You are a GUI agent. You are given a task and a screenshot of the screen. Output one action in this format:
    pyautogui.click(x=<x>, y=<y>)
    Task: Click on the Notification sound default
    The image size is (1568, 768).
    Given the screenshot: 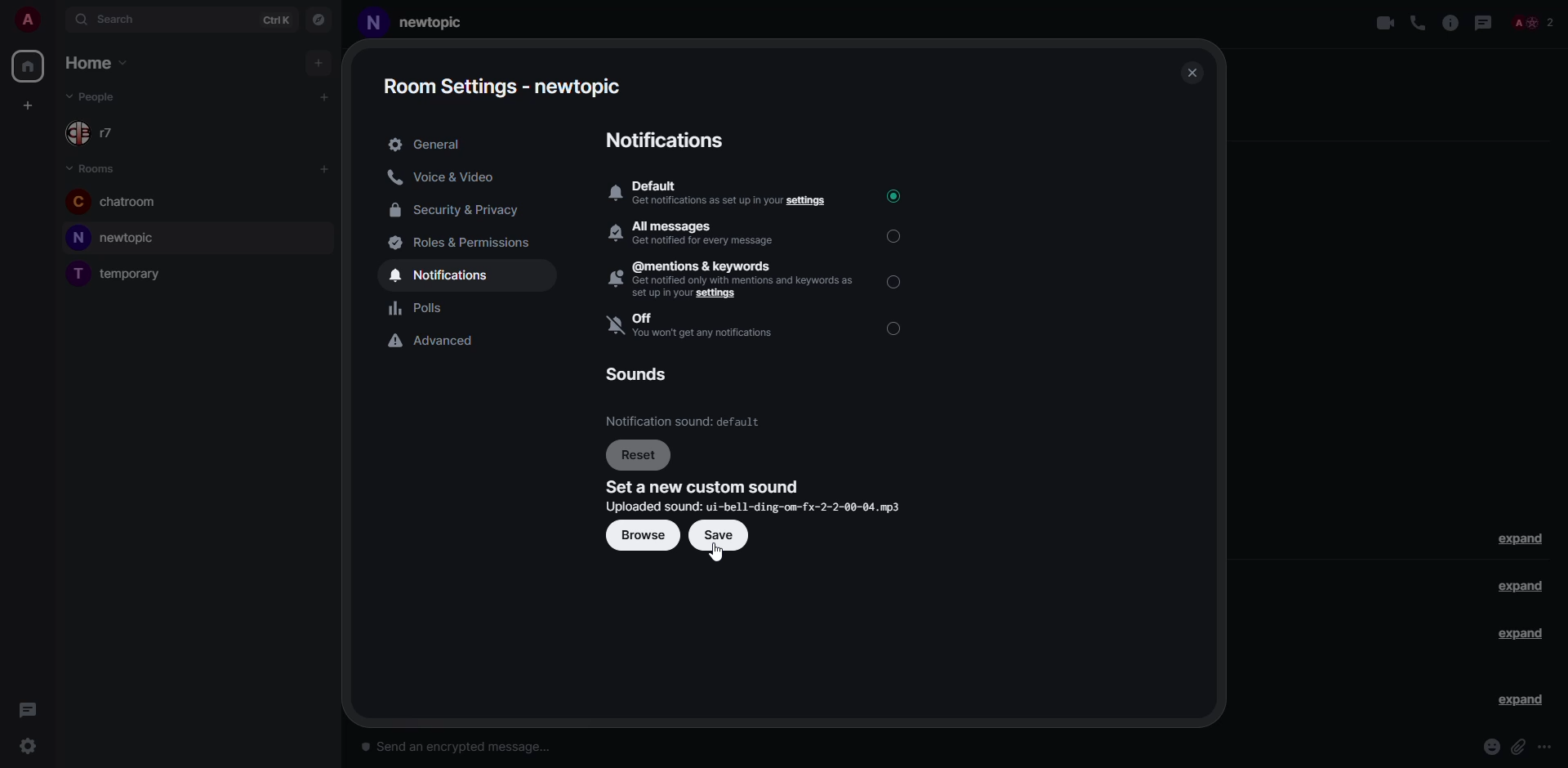 What is the action you would take?
    pyautogui.click(x=686, y=421)
    